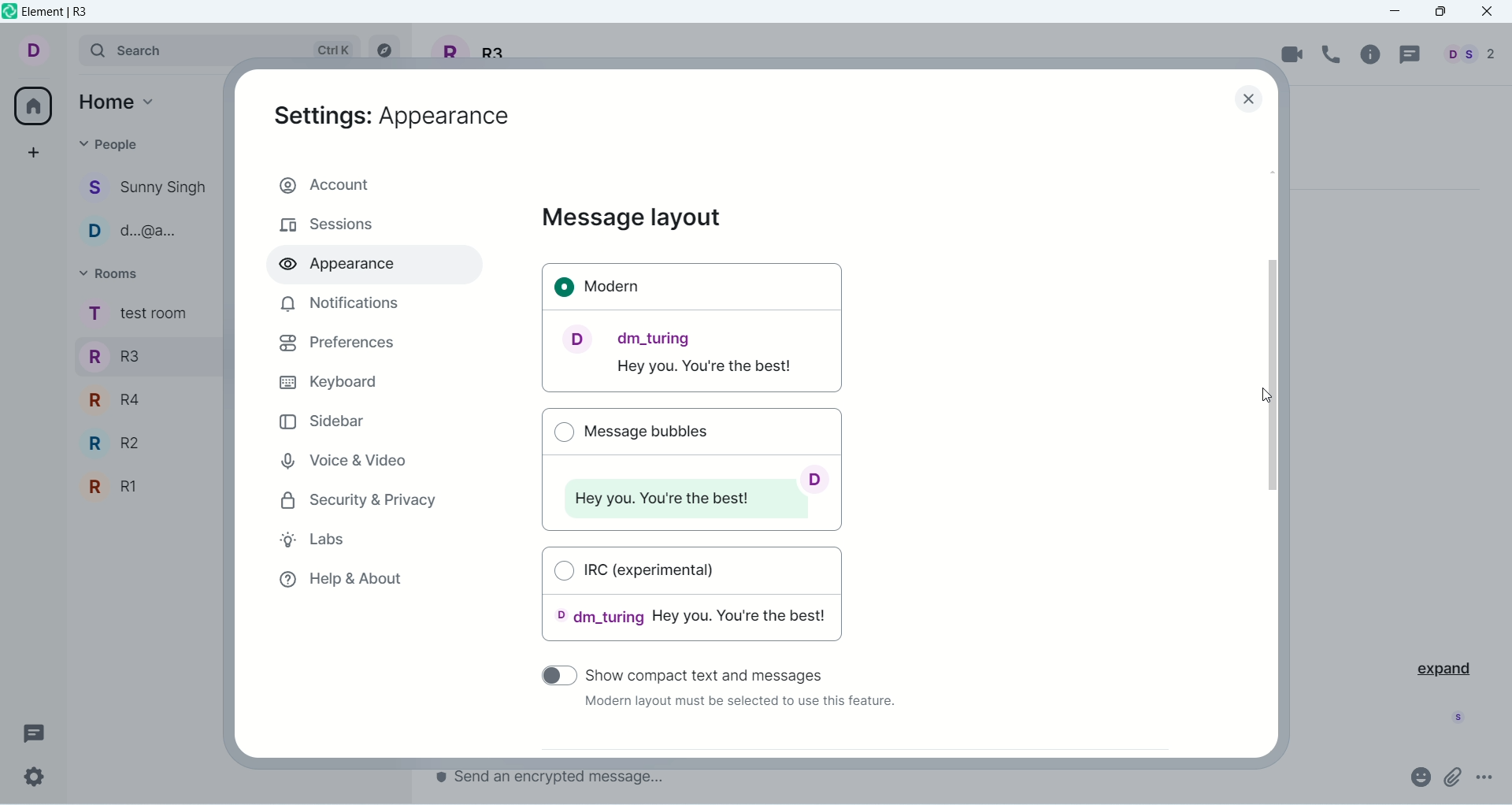 This screenshot has width=1512, height=805. I want to click on appearance, so click(393, 116).